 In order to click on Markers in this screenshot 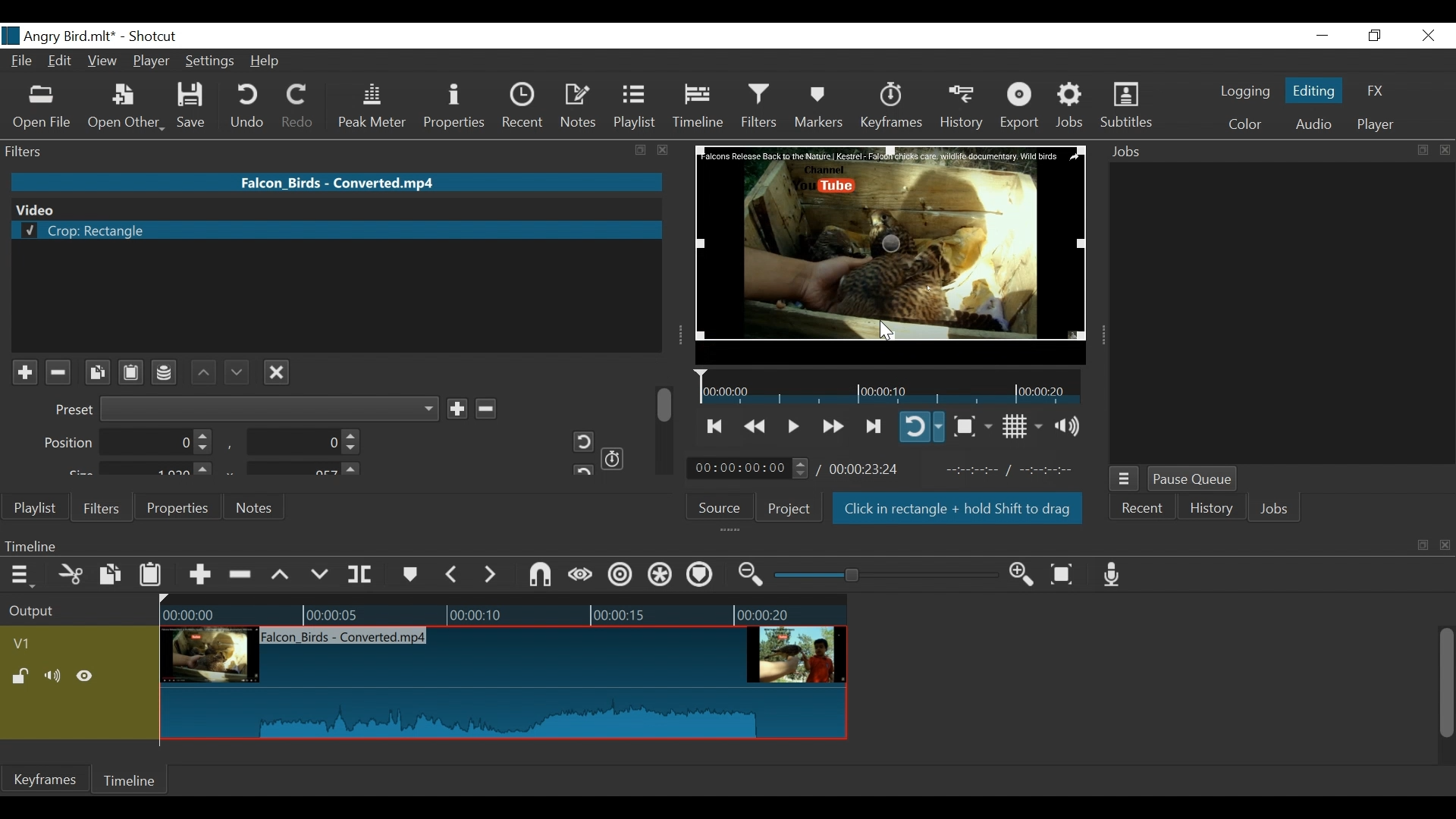, I will do `click(409, 575)`.